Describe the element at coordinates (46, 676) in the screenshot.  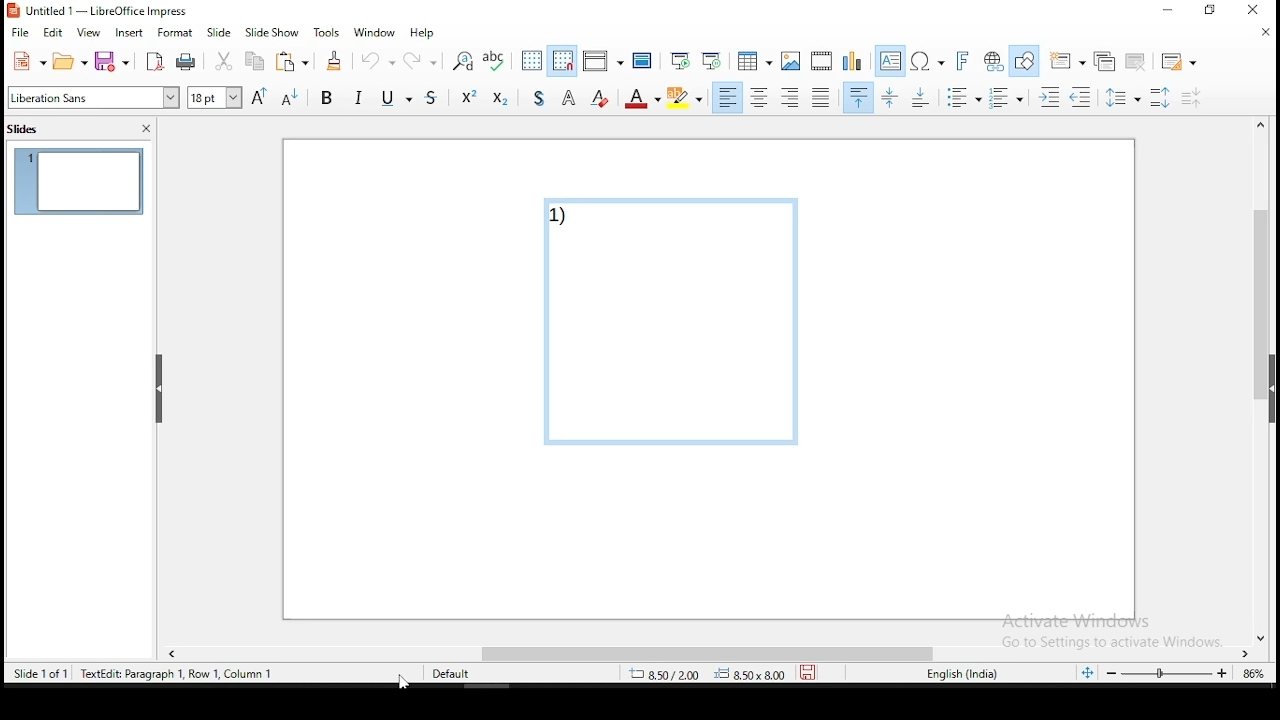
I see `slide 1 of 1` at that location.